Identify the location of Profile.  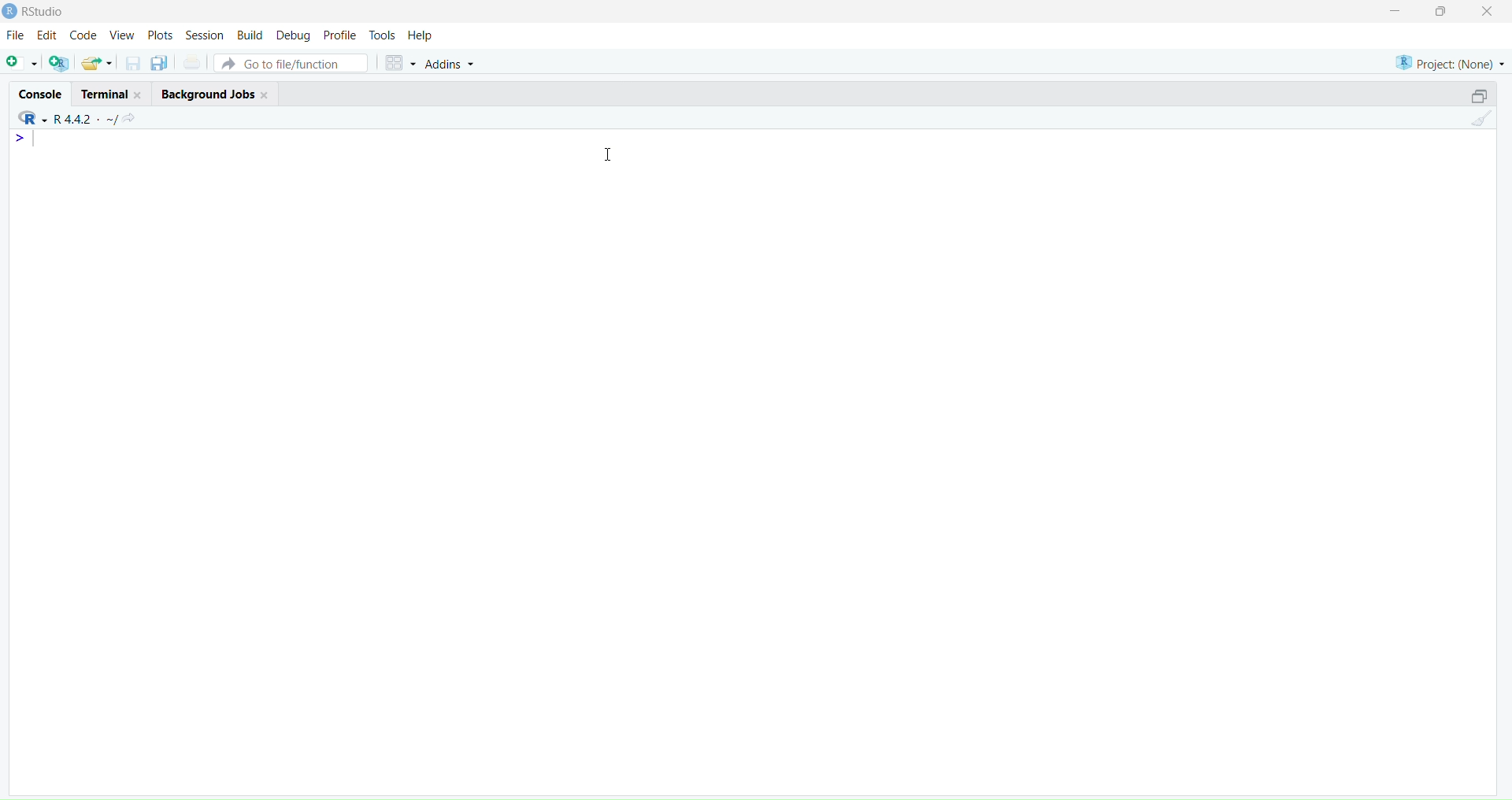
(340, 36).